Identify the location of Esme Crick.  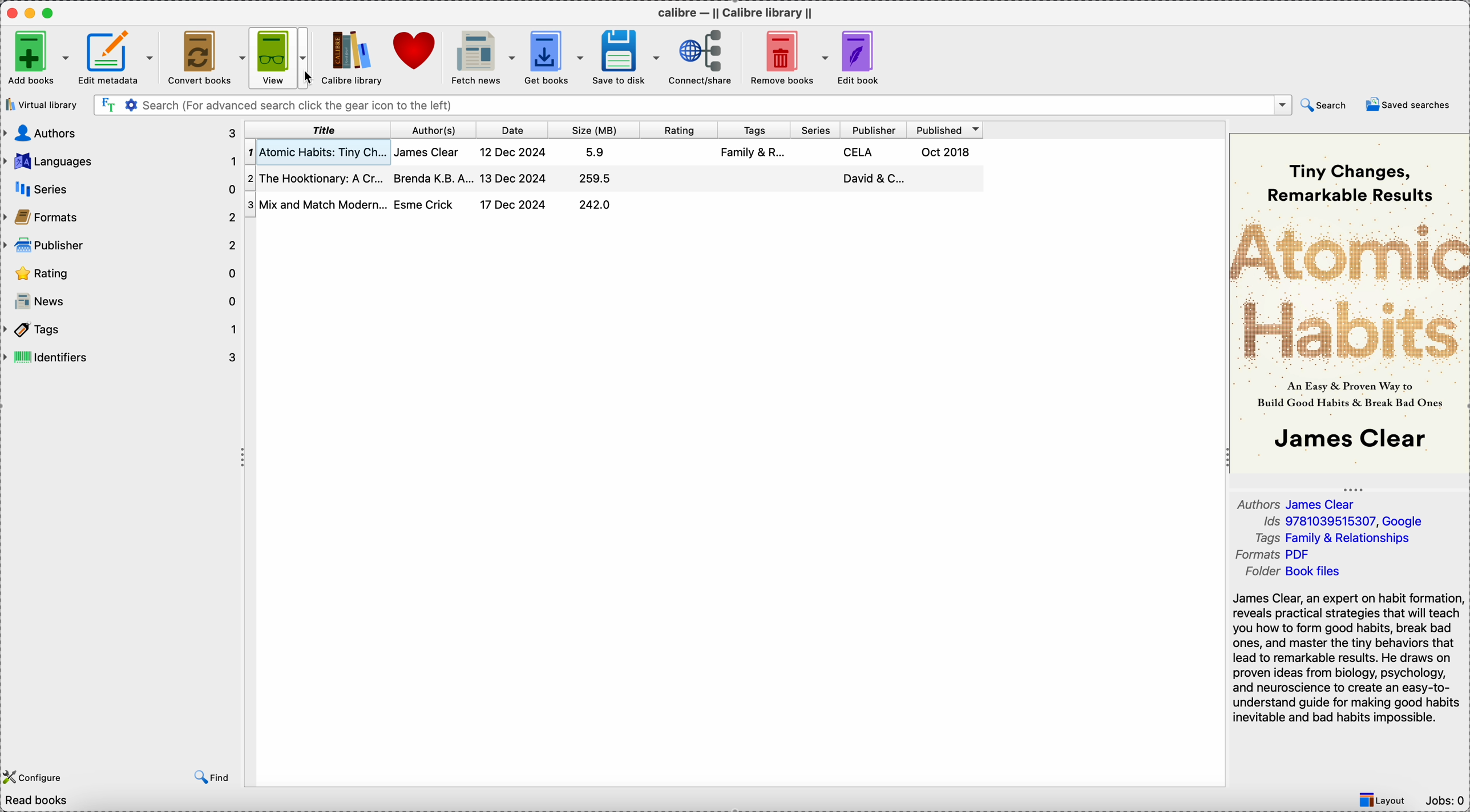
(425, 204).